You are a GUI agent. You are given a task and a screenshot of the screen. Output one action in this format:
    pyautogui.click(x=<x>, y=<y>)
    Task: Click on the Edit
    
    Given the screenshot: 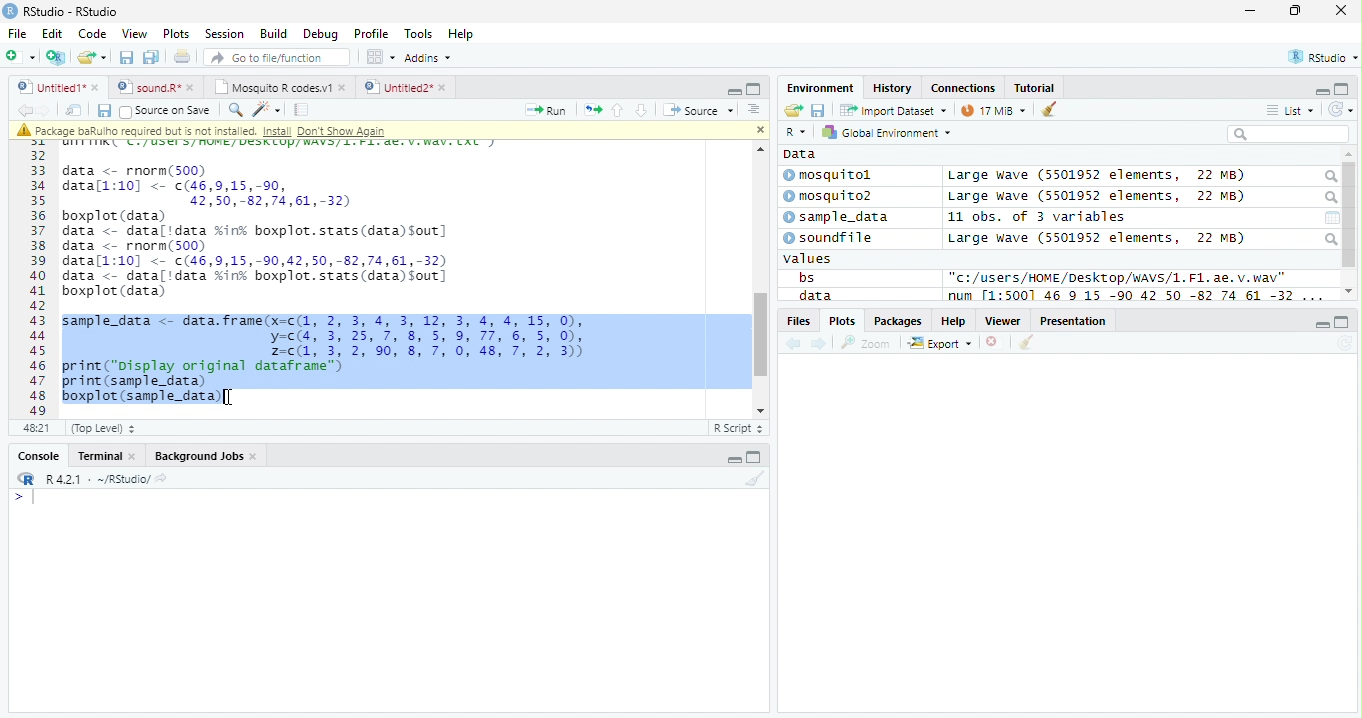 What is the action you would take?
    pyautogui.click(x=53, y=34)
    